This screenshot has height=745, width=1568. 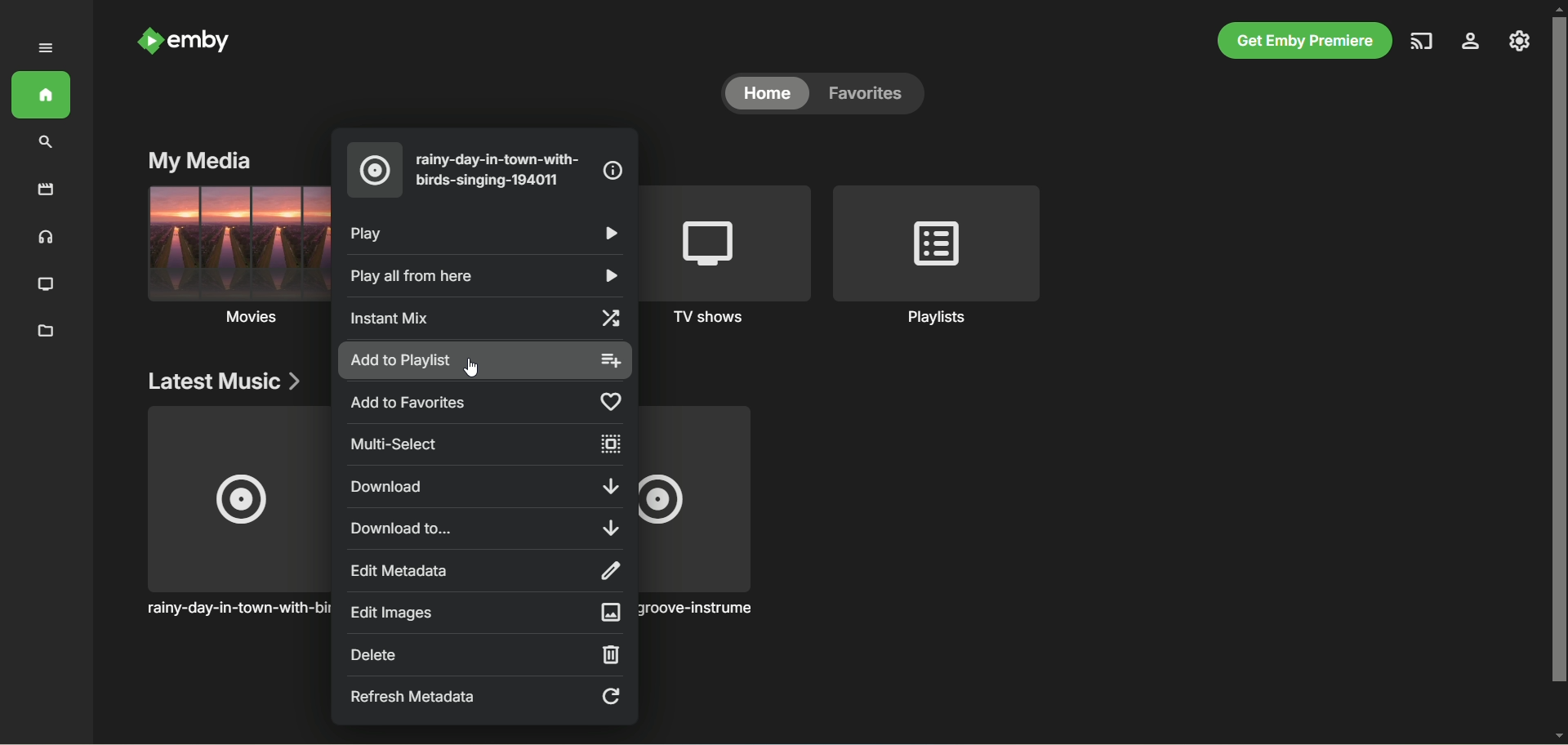 I want to click on playlists, so click(x=938, y=257).